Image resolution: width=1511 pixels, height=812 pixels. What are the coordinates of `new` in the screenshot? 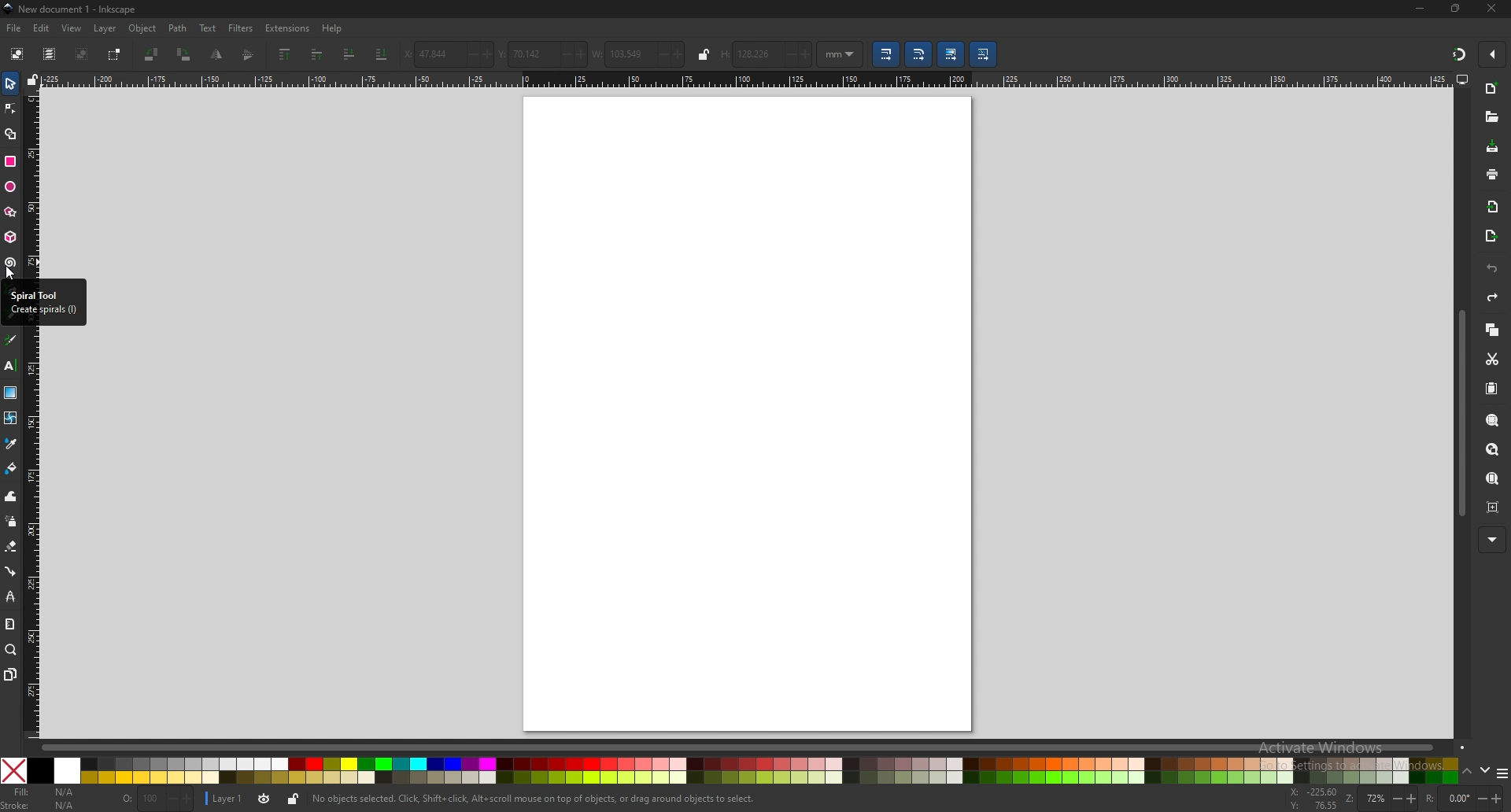 It's located at (1492, 89).